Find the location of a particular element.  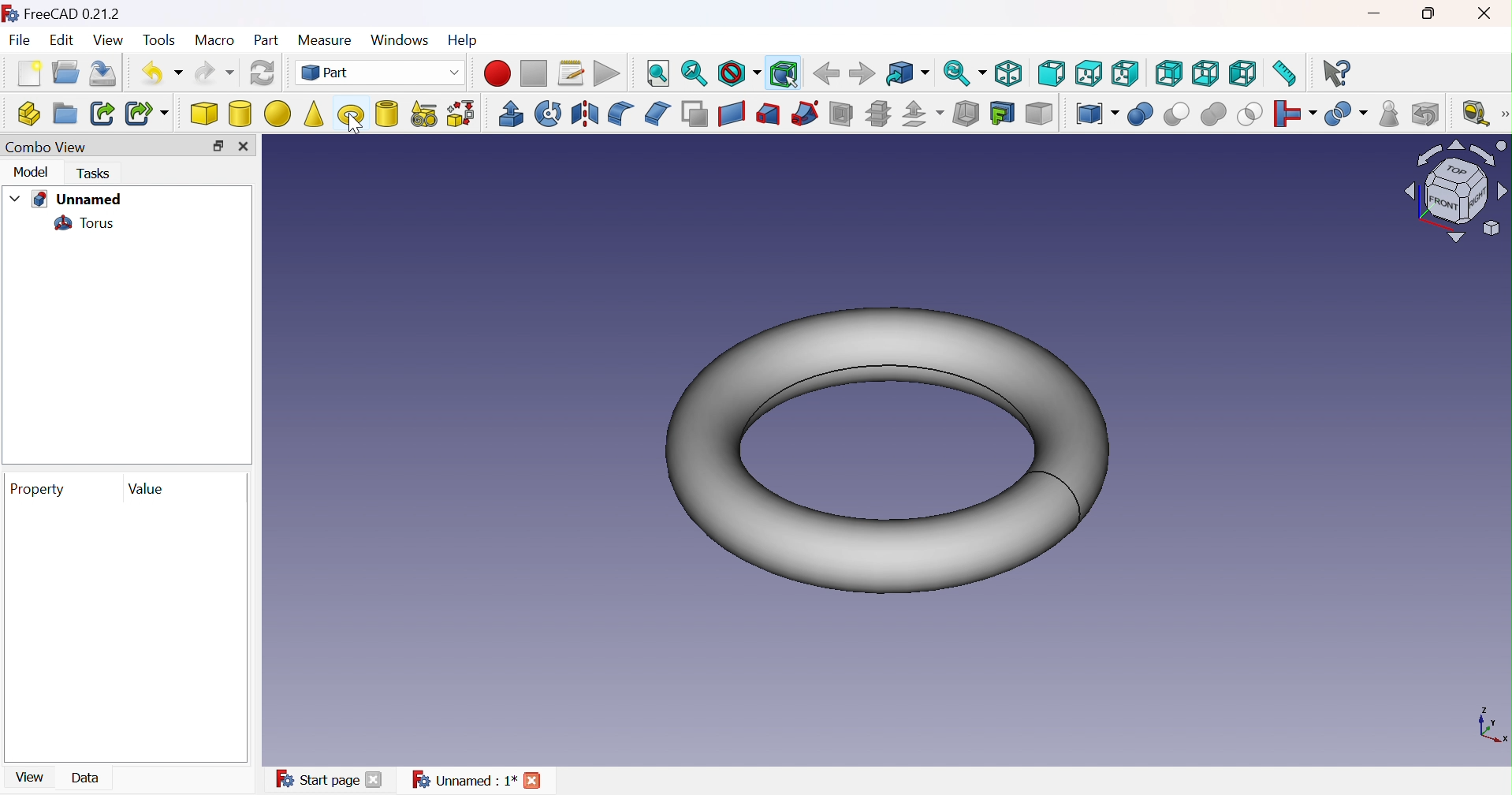

Measure liner is located at coordinates (1477, 116).